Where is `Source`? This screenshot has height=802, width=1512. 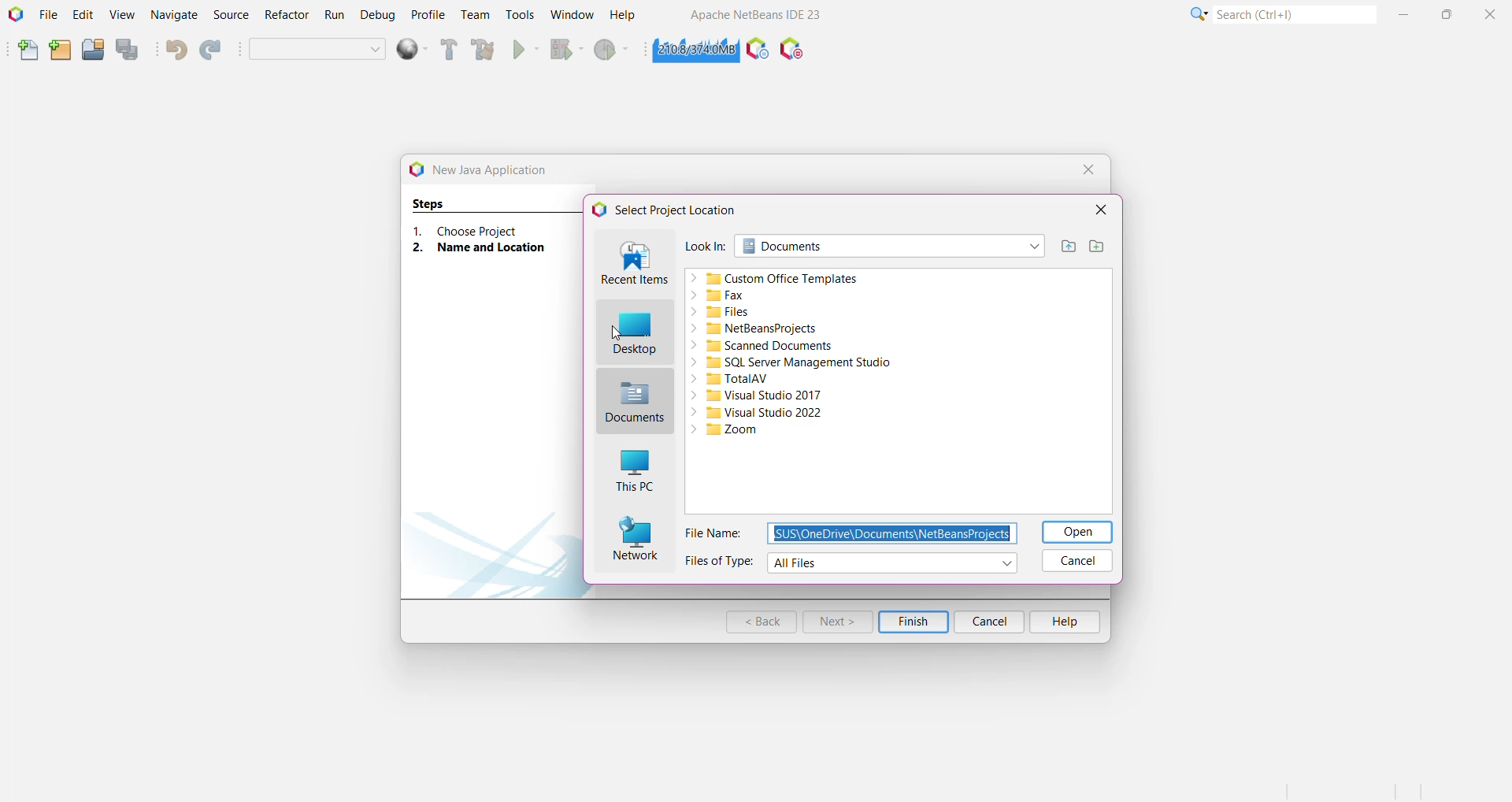 Source is located at coordinates (229, 15).